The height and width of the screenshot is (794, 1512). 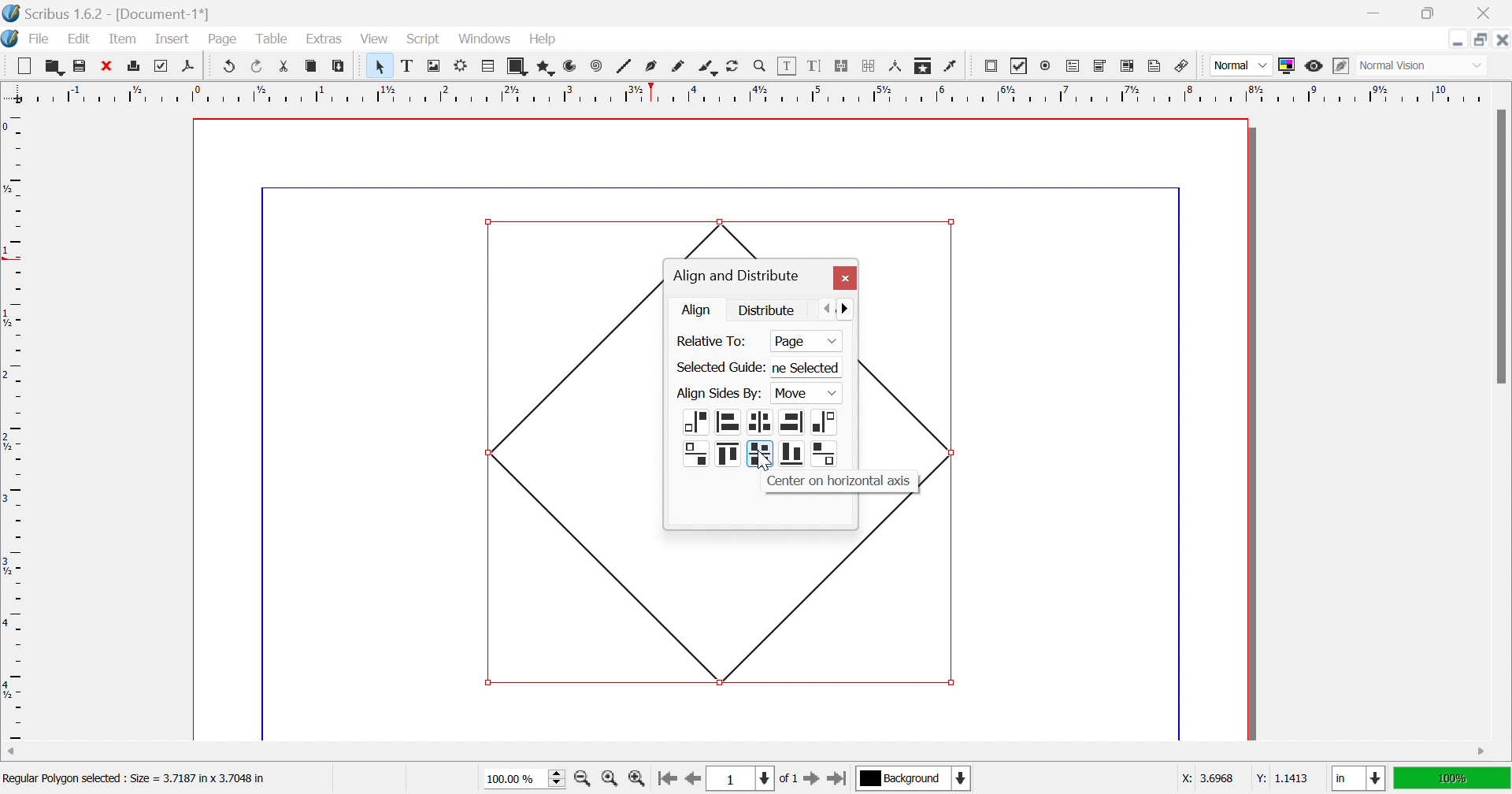 What do you see at coordinates (9, 39) in the screenshot?
I see `Scribus icon` at bounding box center [9, 39].